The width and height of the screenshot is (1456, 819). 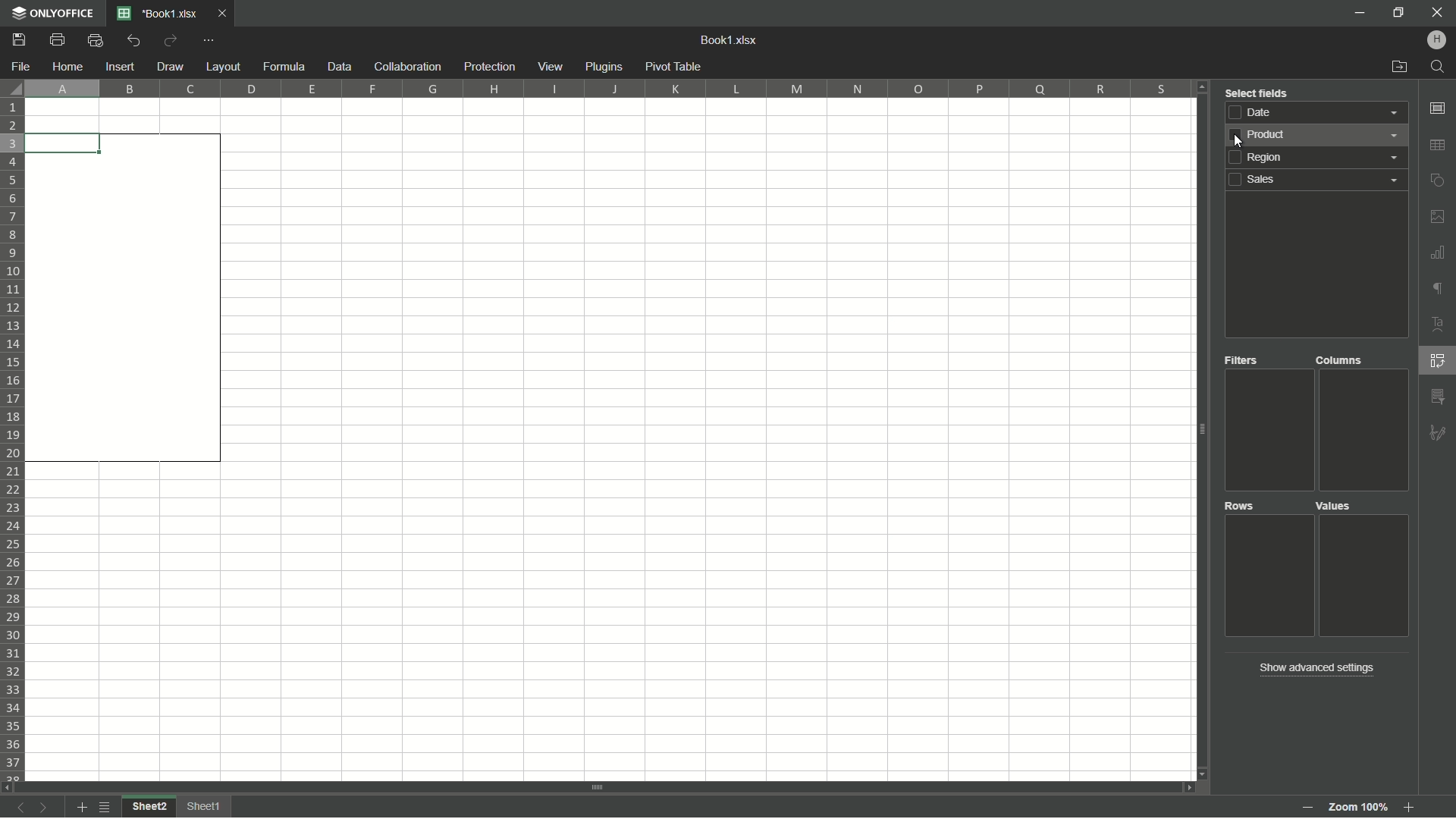 What do you see at coordinates (1438, 290) in the screenshot?
I see `format marks` at bounding box center [1438, 290].